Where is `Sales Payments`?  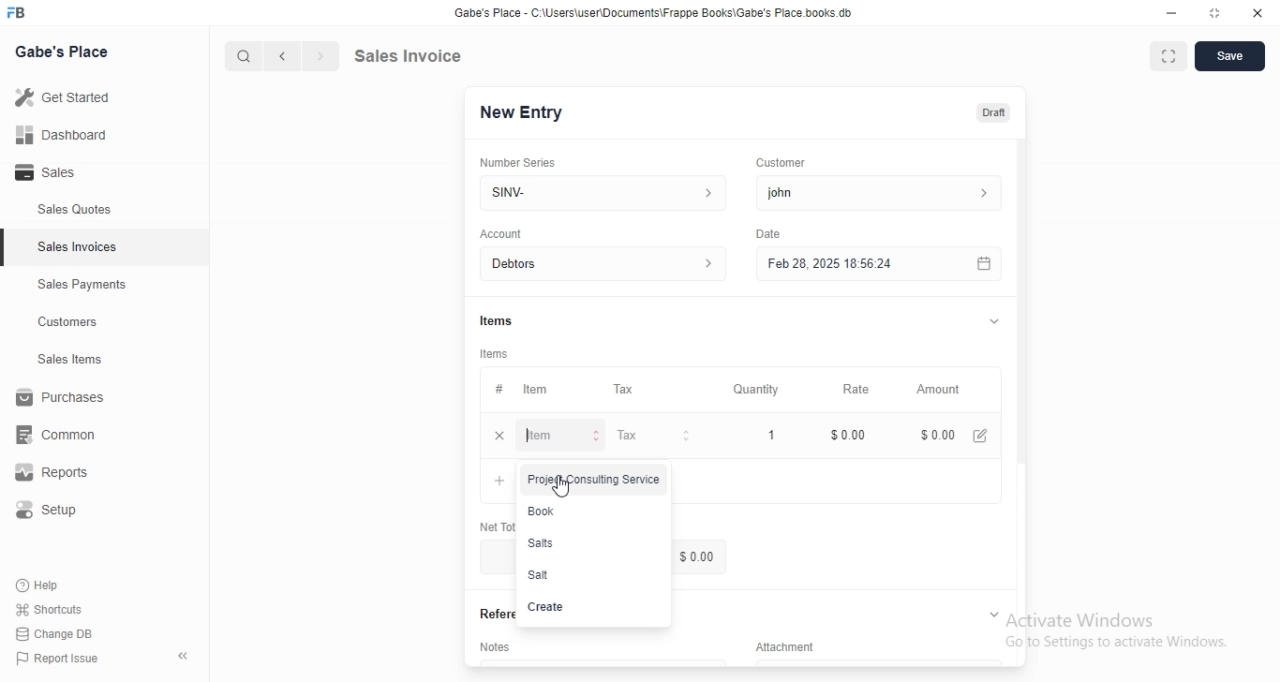 Sales Payments is located at coordinates (77, 285).